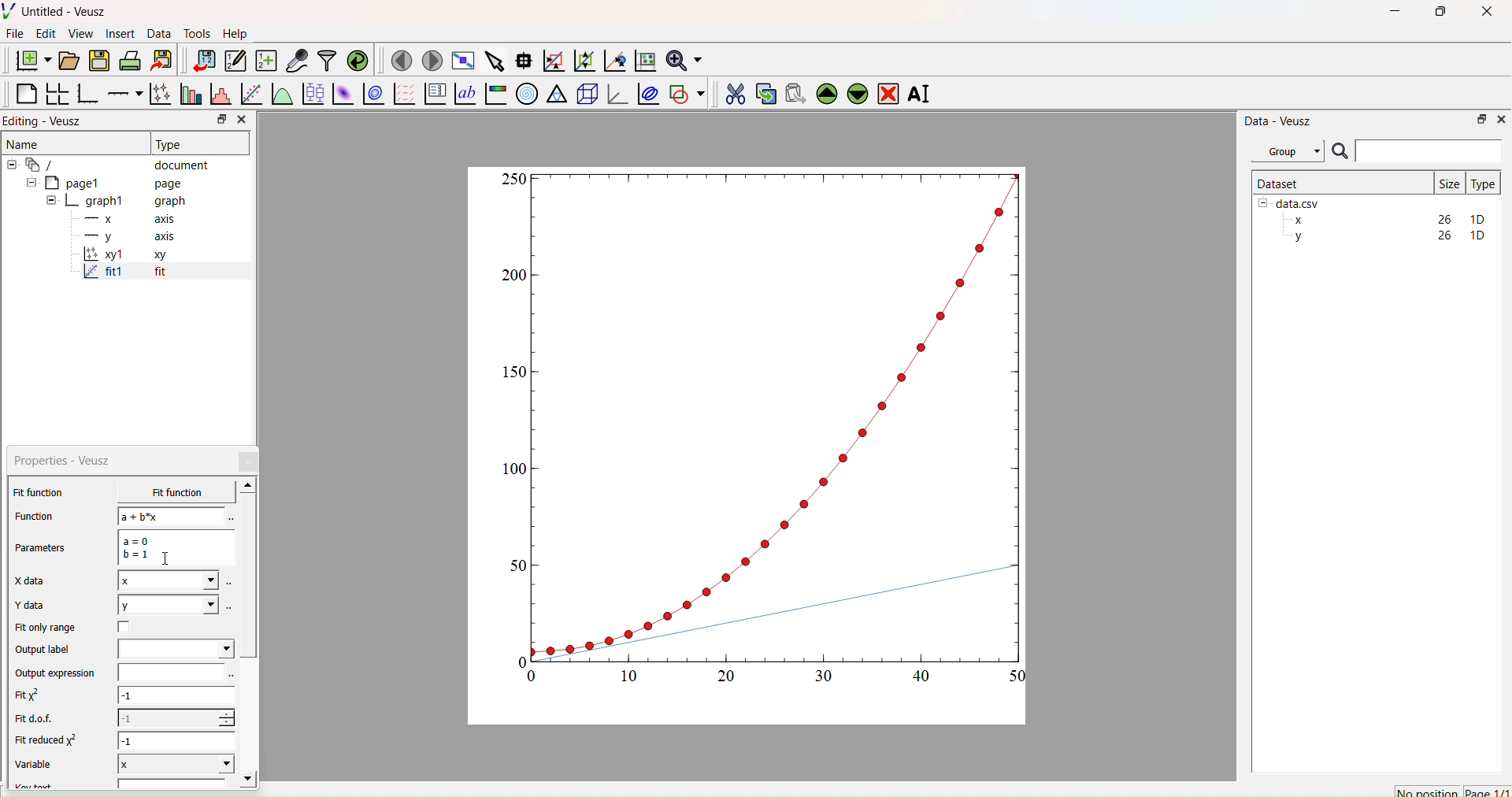  Describe the element at coordinates (24, 143) in the screenshot. I see `Name` at that location.